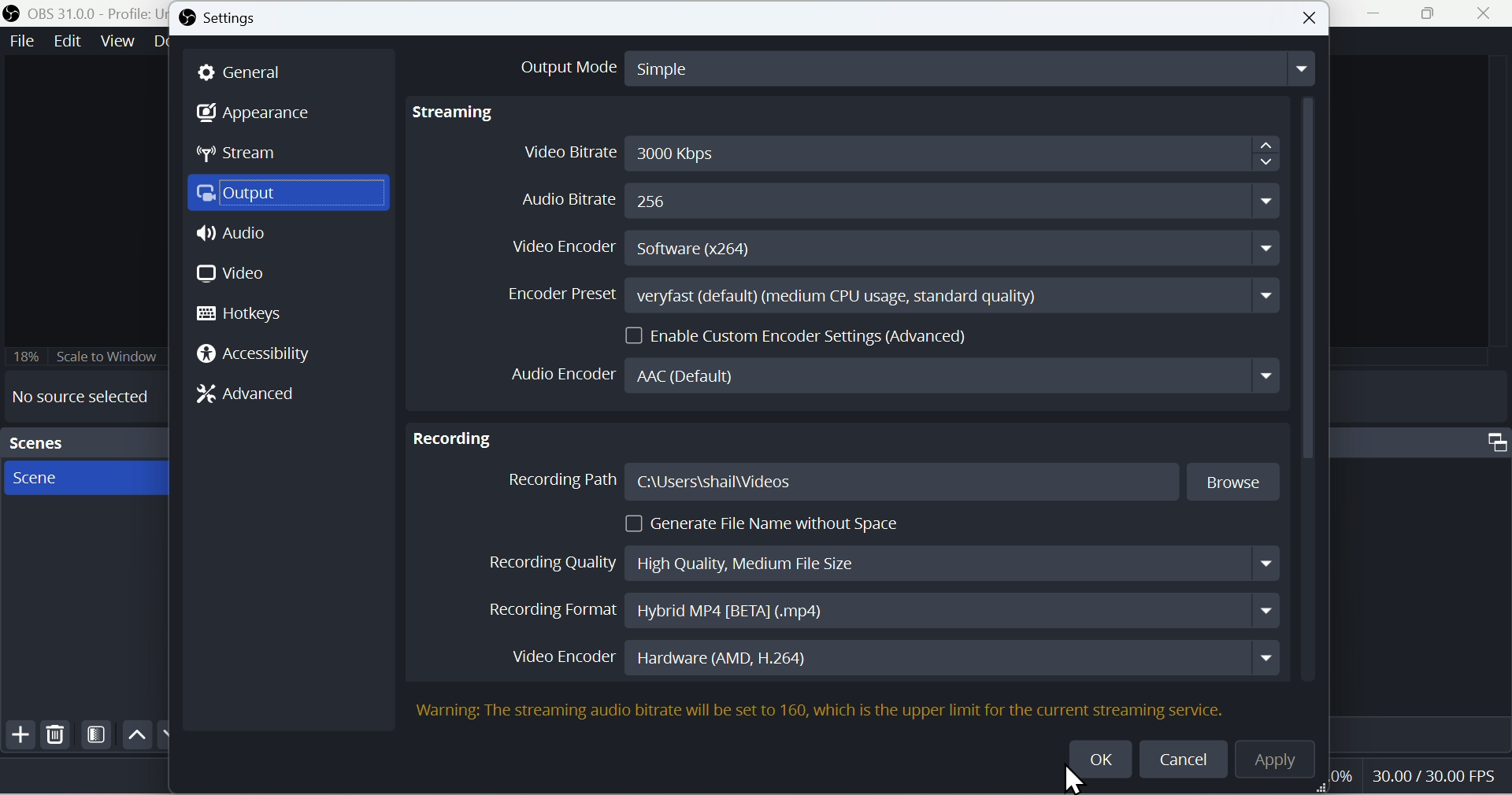 The width and height of the screenshot is (1512, 795). What do you see at coordinates (1342, 778) in the screenshot?
I see `0%` at bounding box center [1342, 778].